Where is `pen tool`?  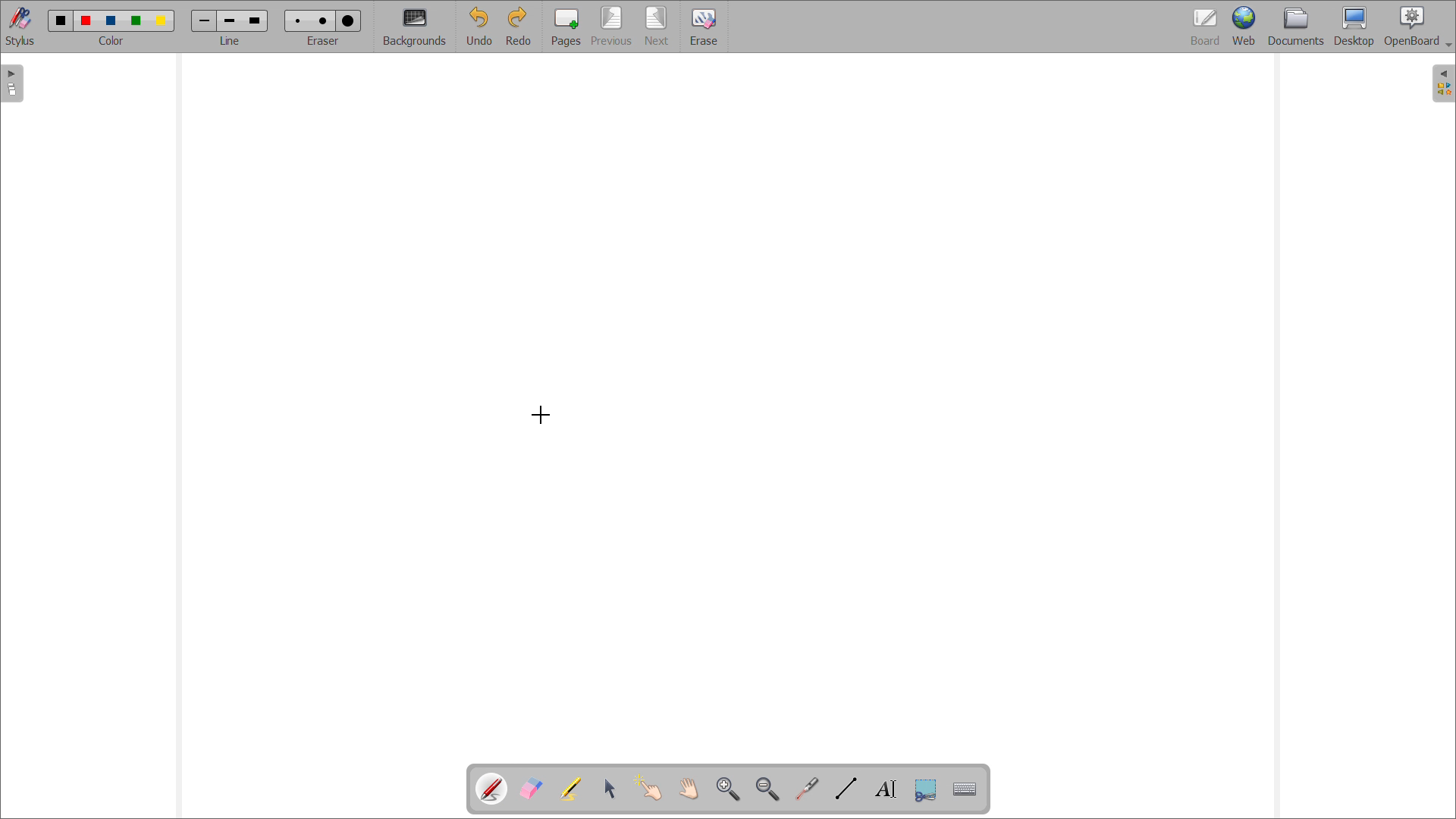 pen tool is located at coordinates (494, 789).